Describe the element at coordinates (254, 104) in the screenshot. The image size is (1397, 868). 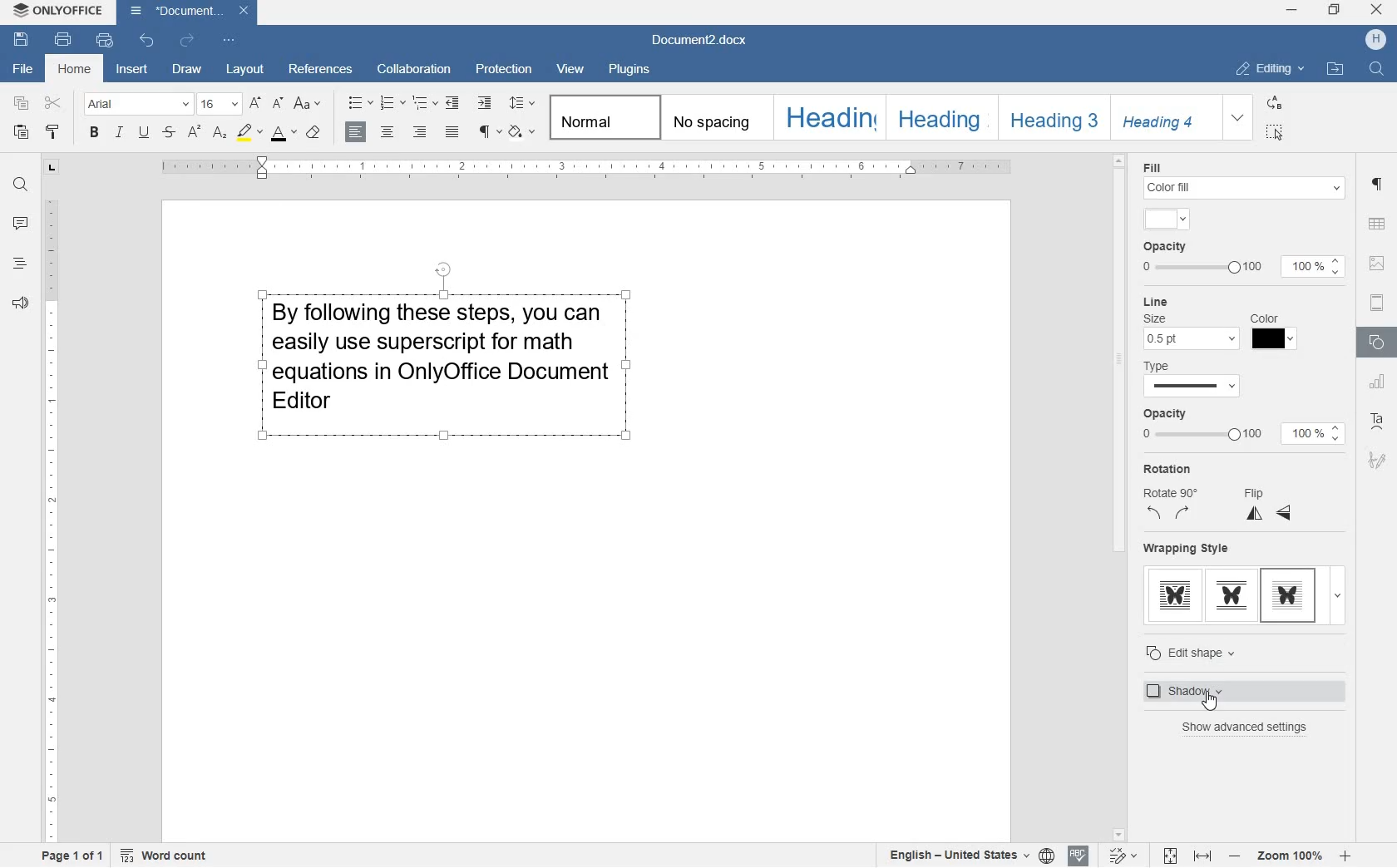
I see `increment font size` at that location.